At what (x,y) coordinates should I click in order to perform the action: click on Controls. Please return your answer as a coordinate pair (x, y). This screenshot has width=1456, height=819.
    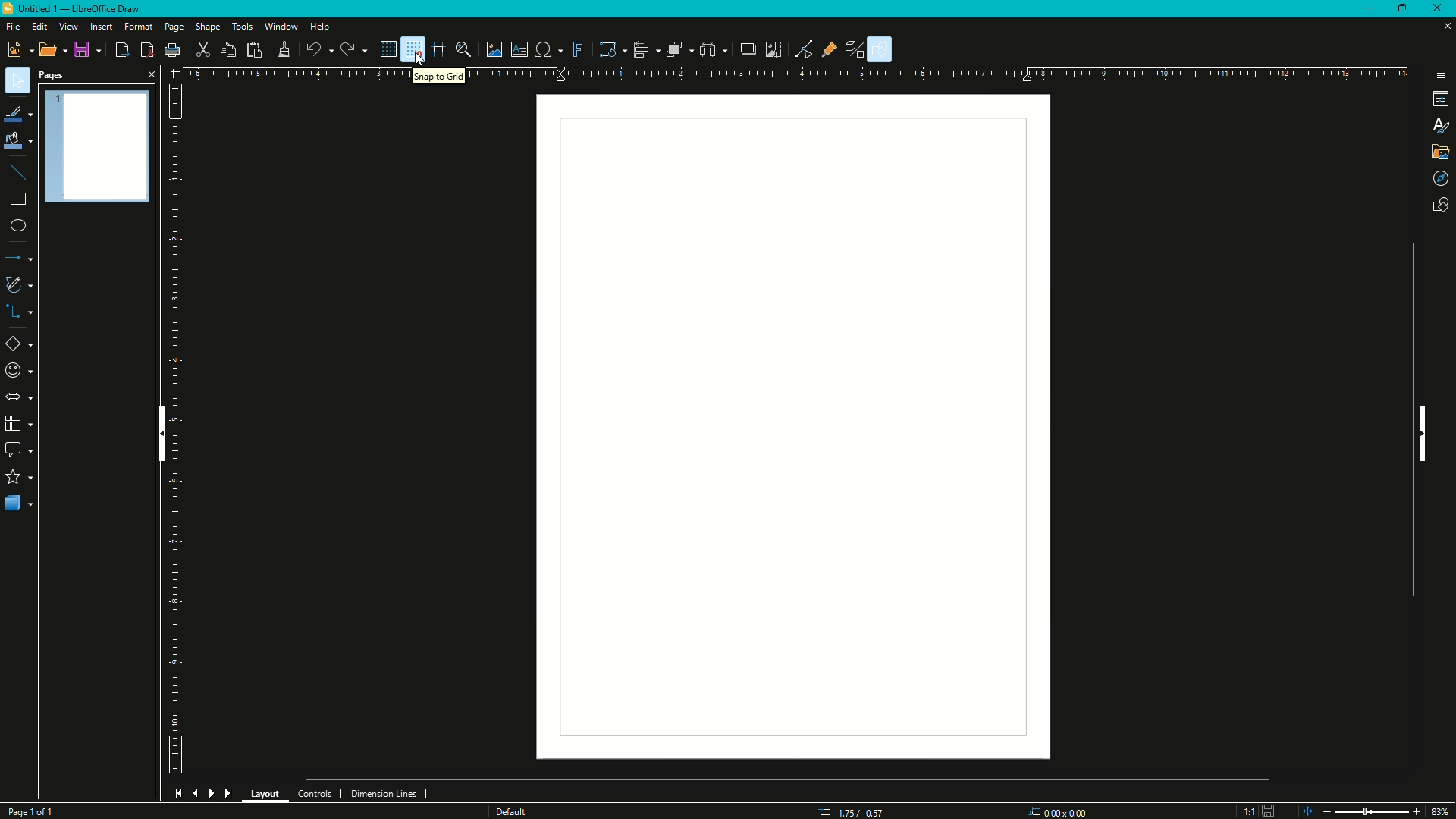
    Looking at the image, I should click on (315, 789).